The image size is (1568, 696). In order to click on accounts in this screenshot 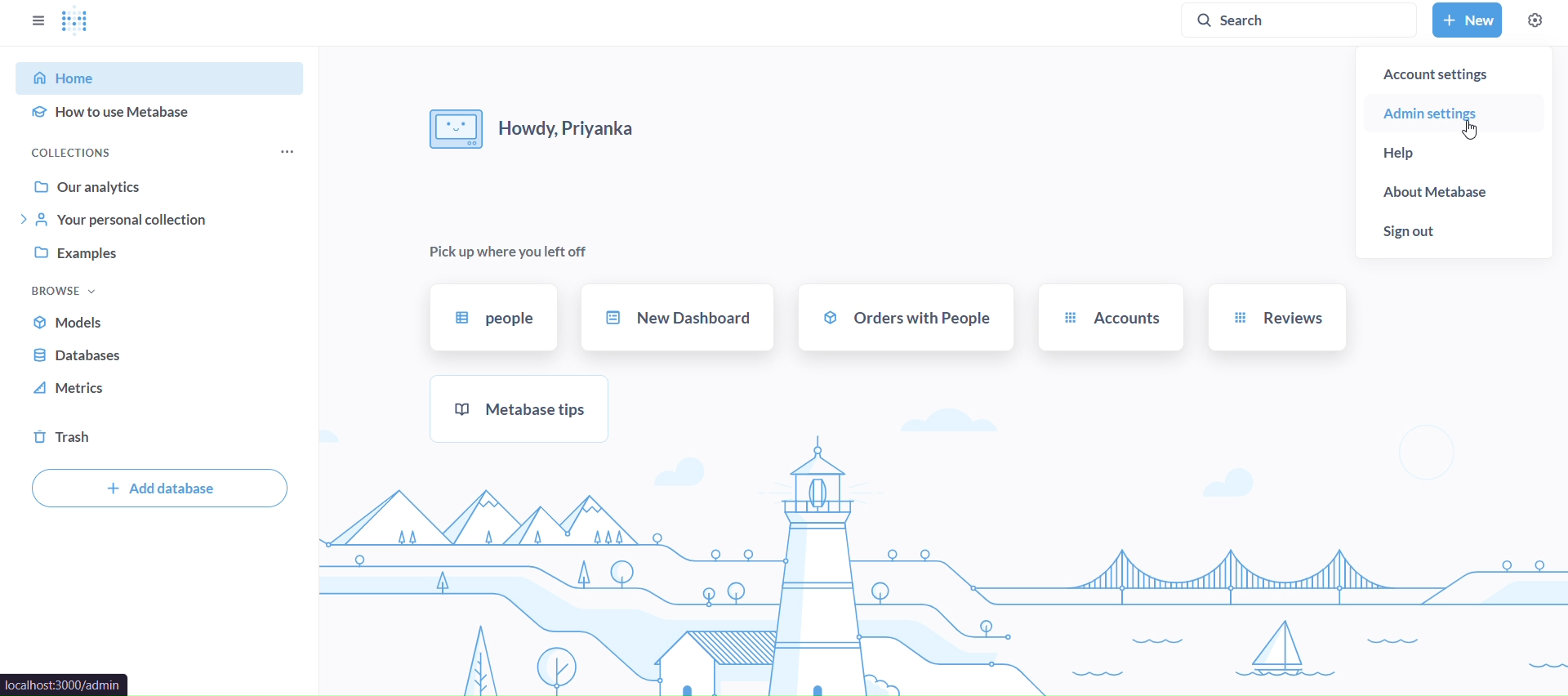, I will do `click(1110, 315)`.